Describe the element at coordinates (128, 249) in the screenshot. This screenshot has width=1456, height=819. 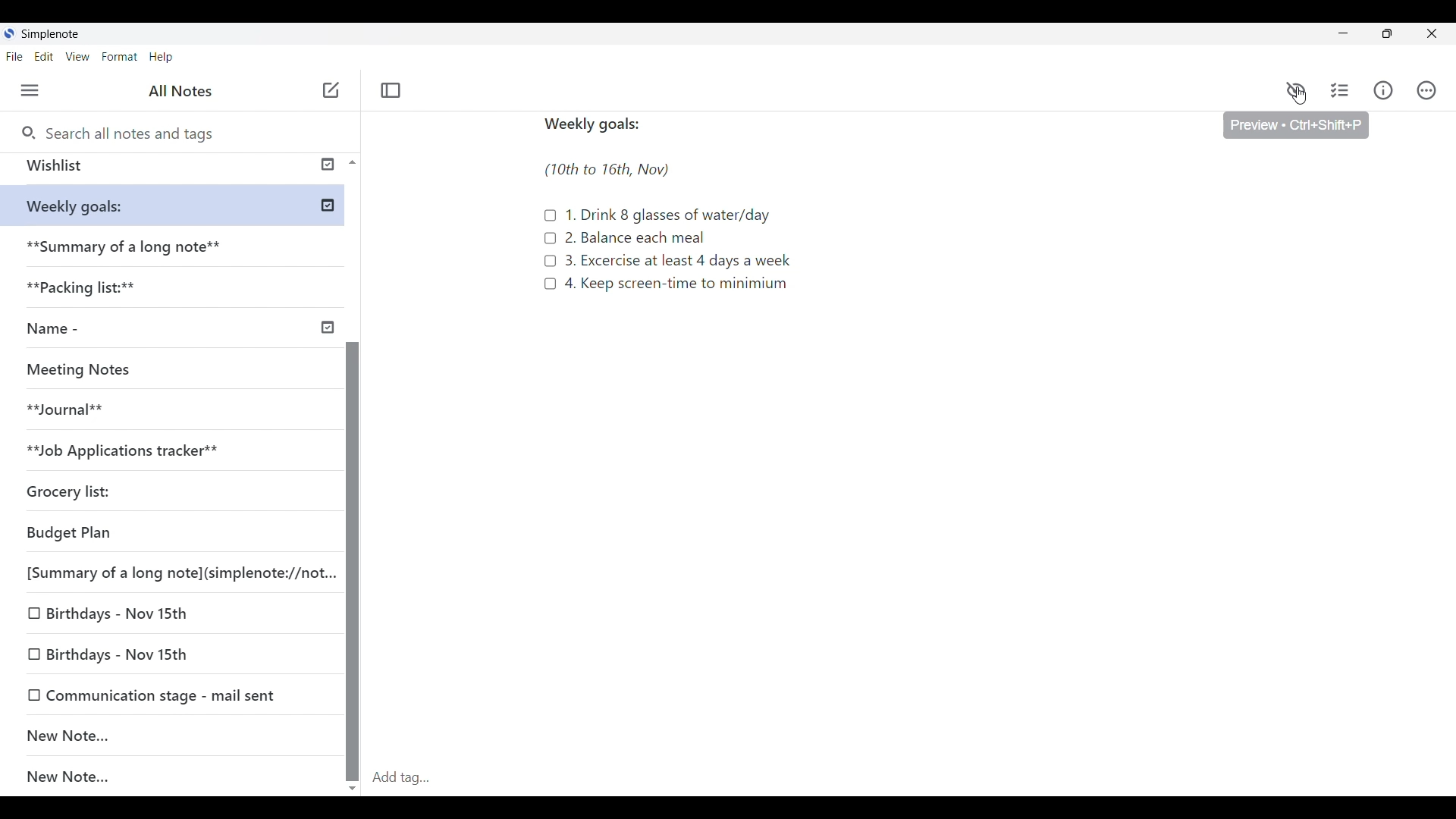
I see `**Summary of a long note**` at that location.